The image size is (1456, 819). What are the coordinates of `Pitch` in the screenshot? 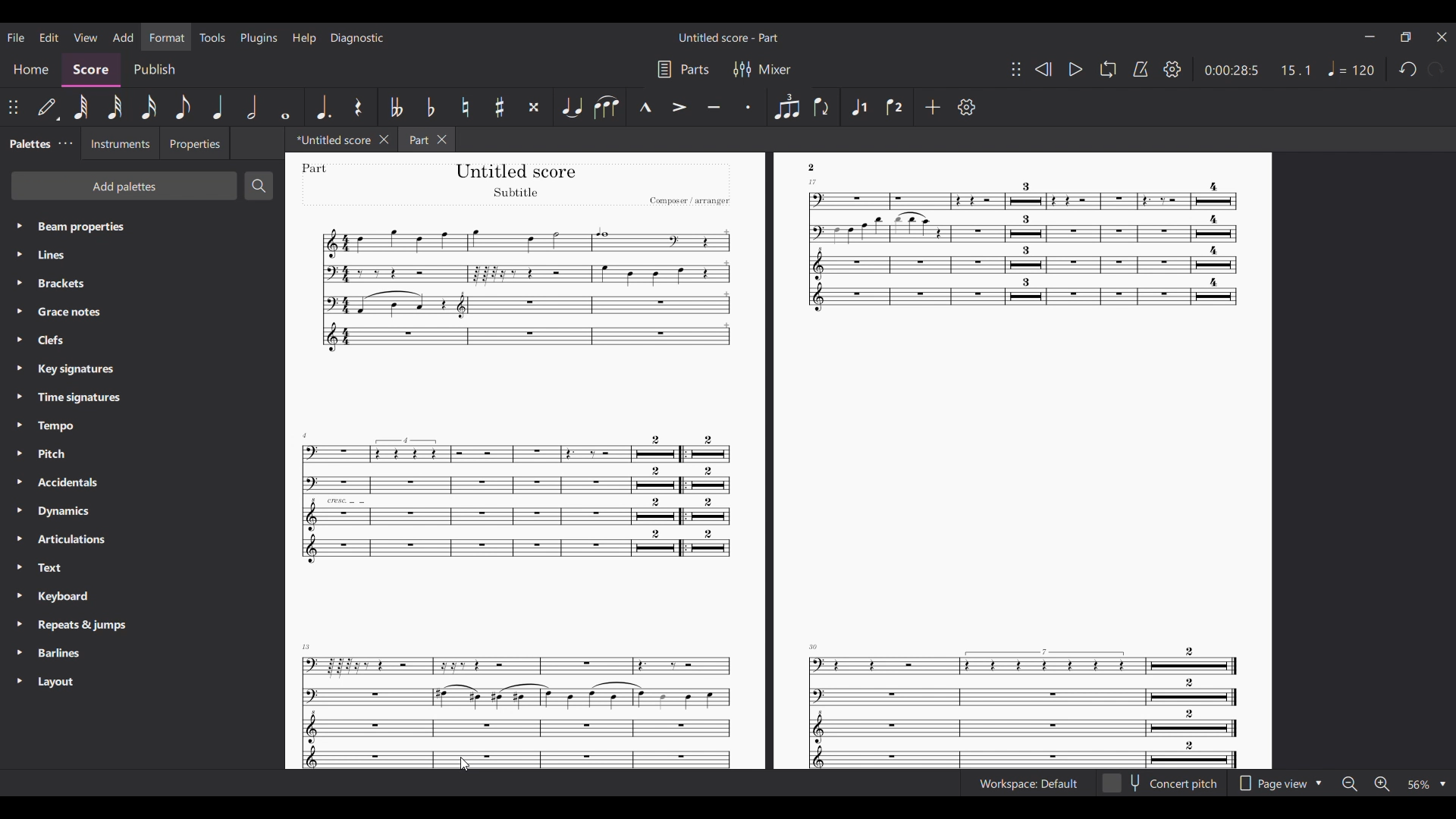 It's located at (70, 454).